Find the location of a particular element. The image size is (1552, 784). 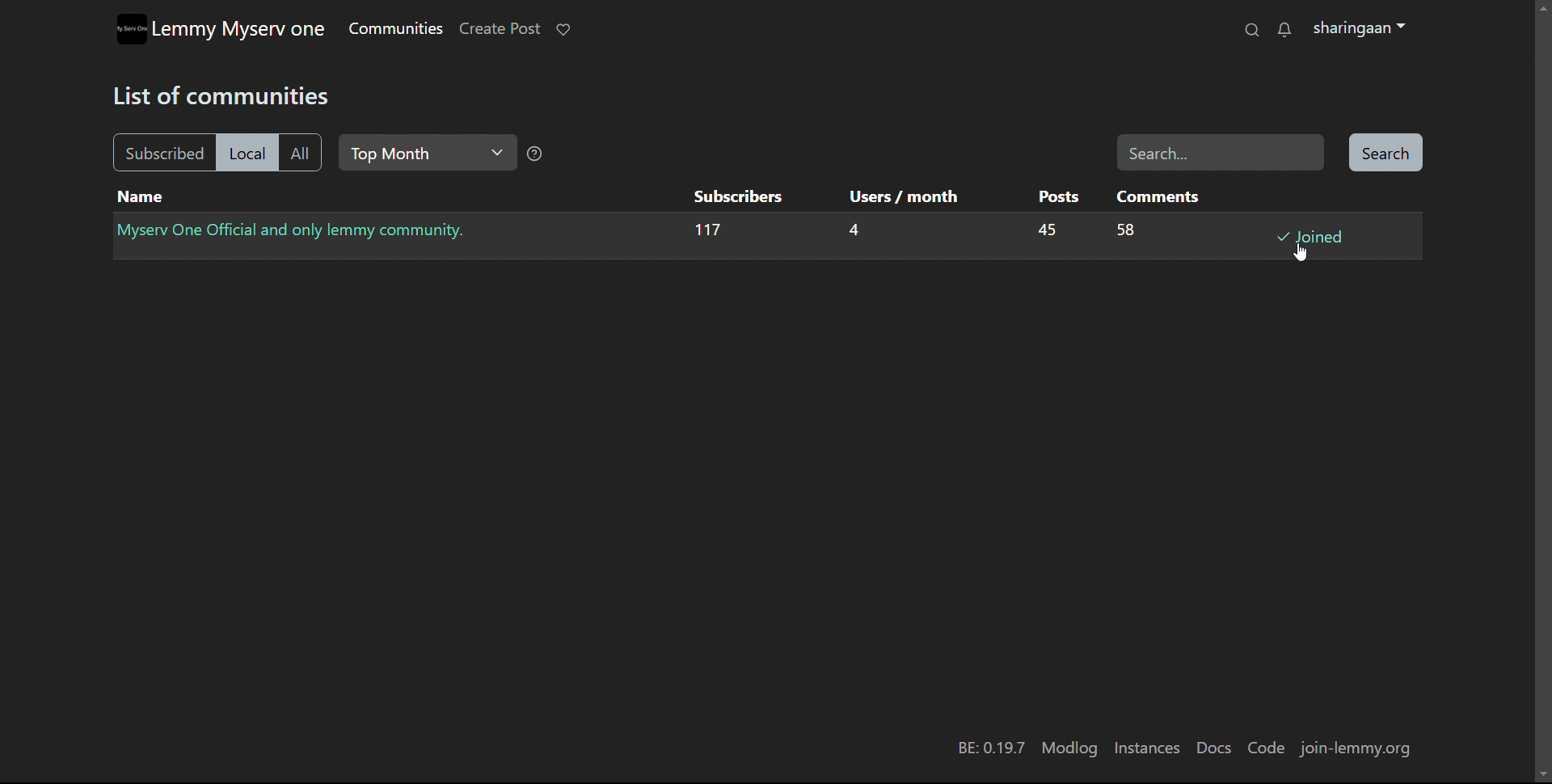

Cursor is located at coordinates (1303, 251).